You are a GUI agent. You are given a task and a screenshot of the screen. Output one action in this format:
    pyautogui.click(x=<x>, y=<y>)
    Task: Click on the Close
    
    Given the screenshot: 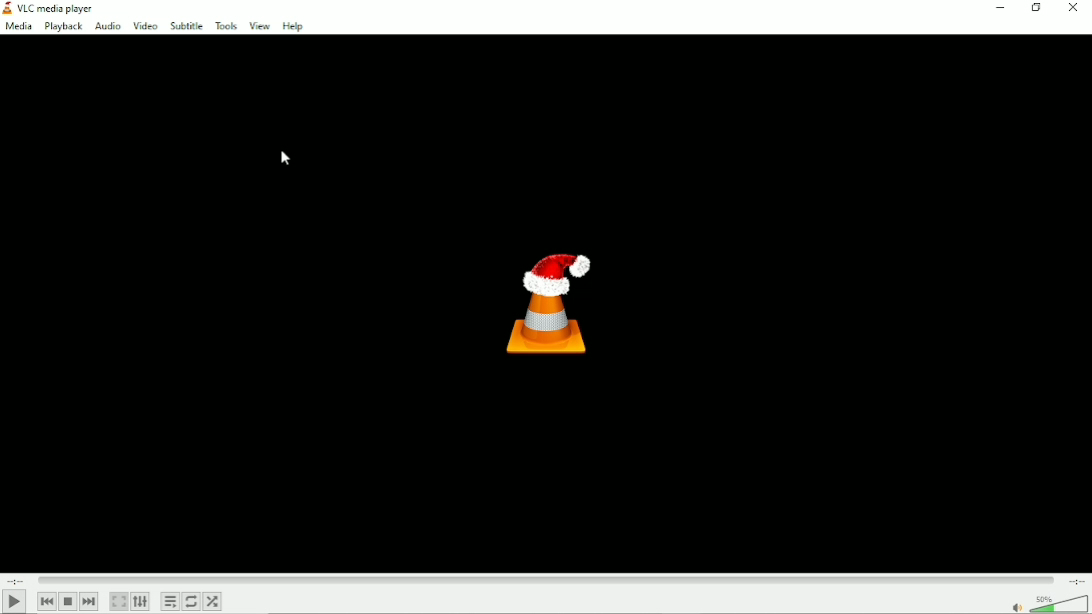 What is the action you would take?
    pyautogui.click(x=1073, y=8)
    